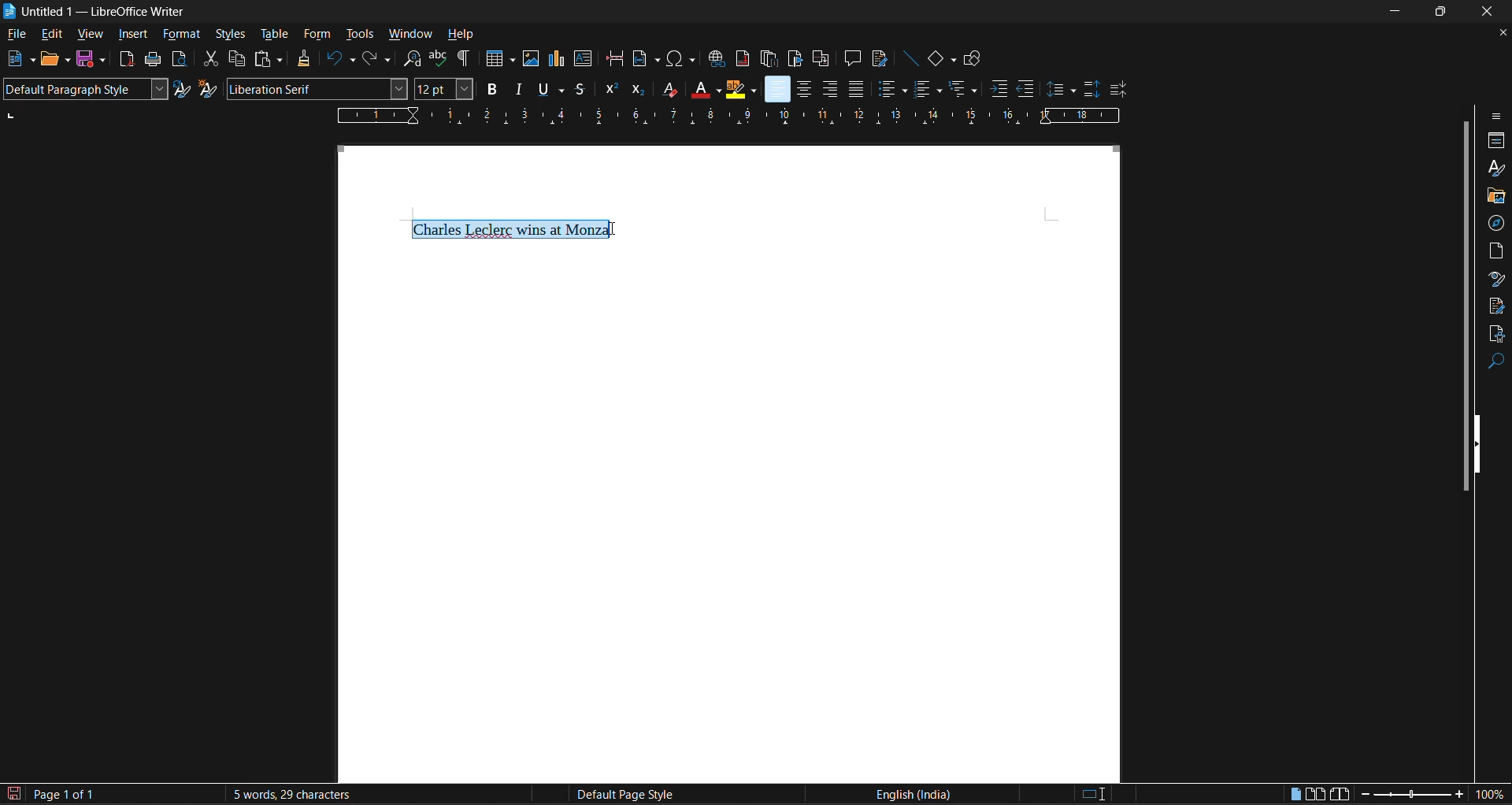 This screenshot has width=1512, height=805. I want to click on font name, so click(313, 88).